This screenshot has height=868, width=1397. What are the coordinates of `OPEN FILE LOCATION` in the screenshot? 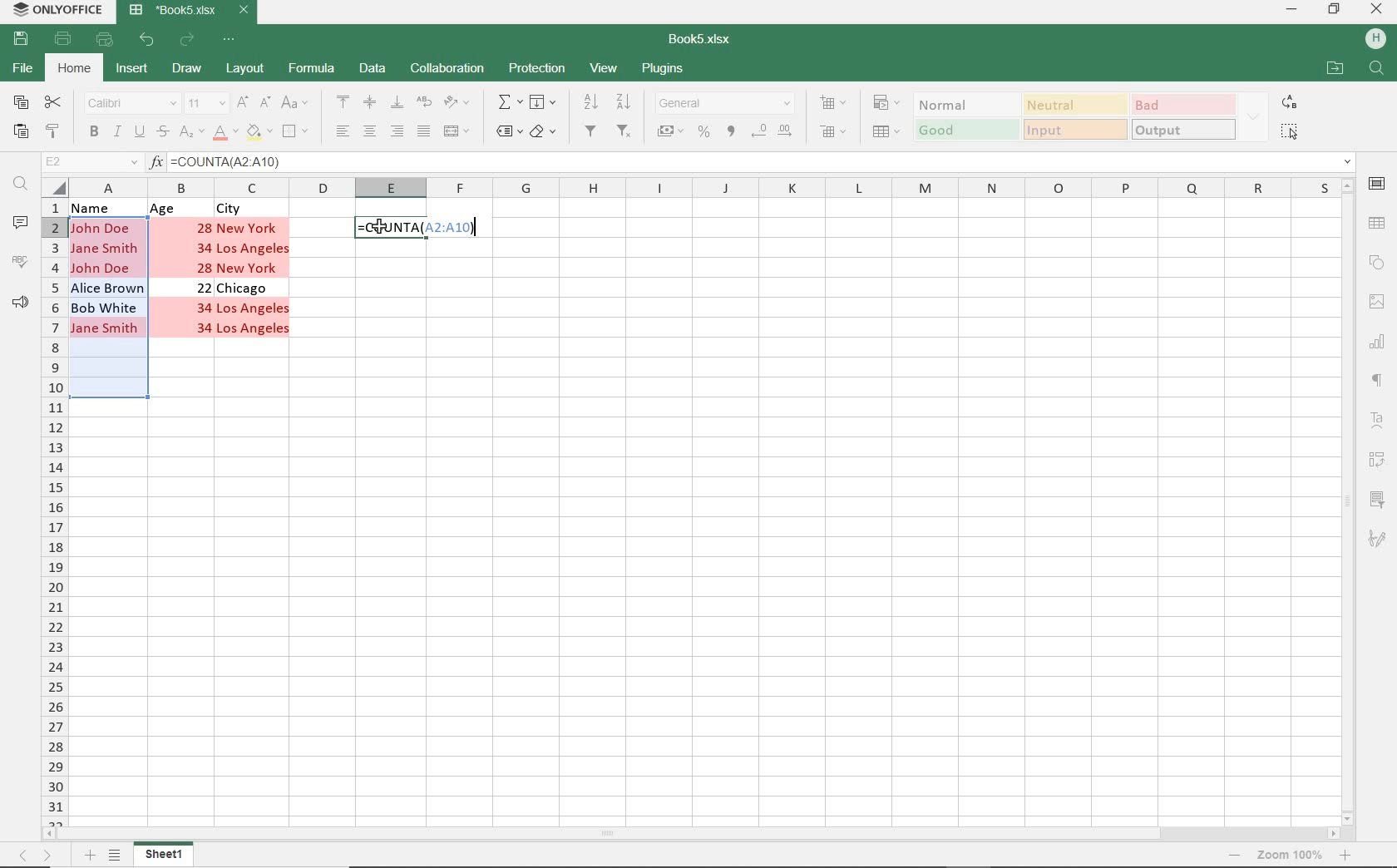 It's located at (1336, 69).